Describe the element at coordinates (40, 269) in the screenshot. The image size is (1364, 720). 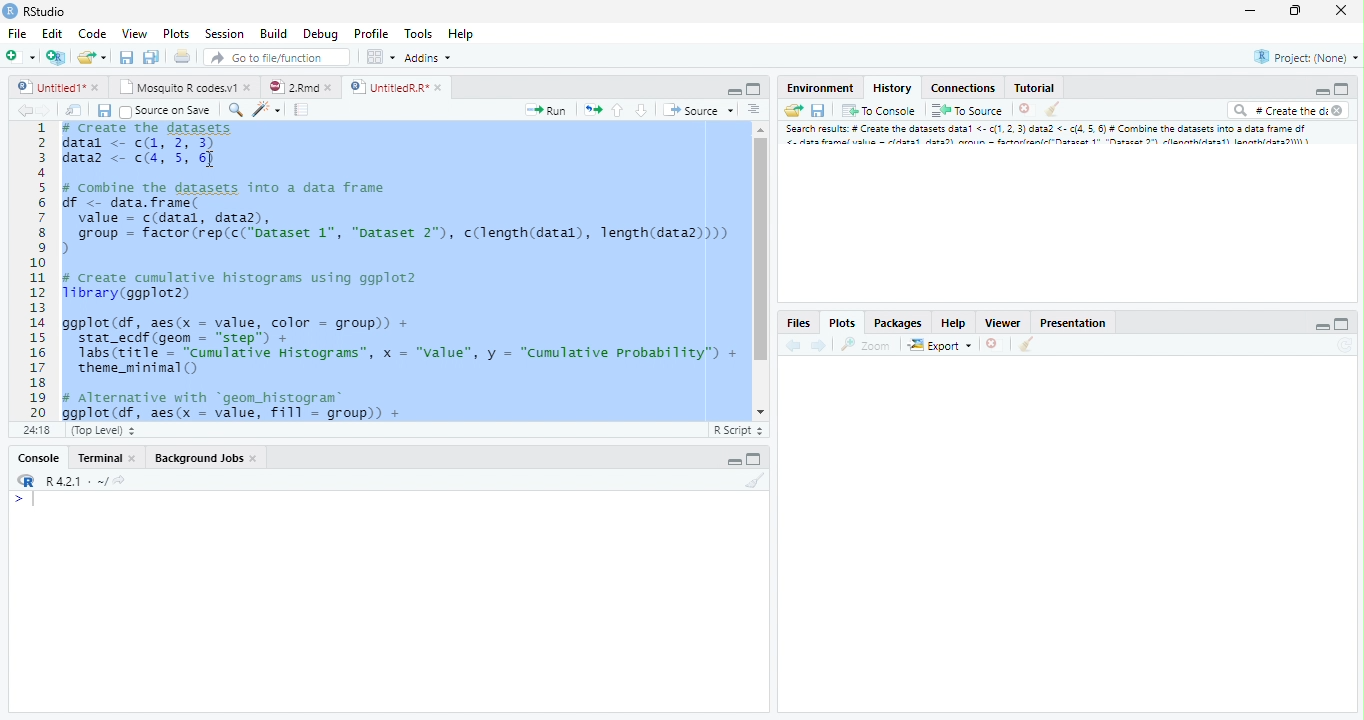
I see `Numbers` at that location.